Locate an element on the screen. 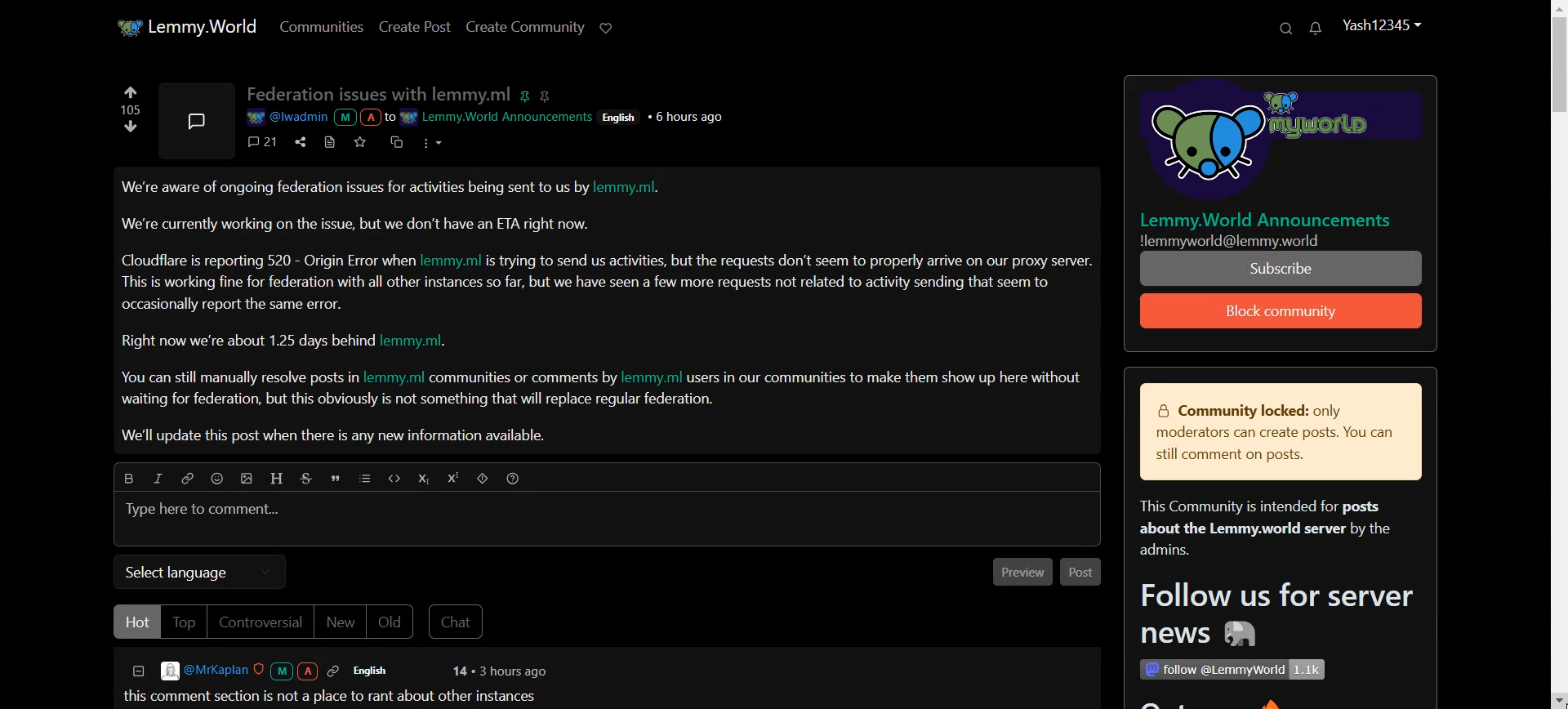  English + 6 hours ago is located at coordinates (665, 118).